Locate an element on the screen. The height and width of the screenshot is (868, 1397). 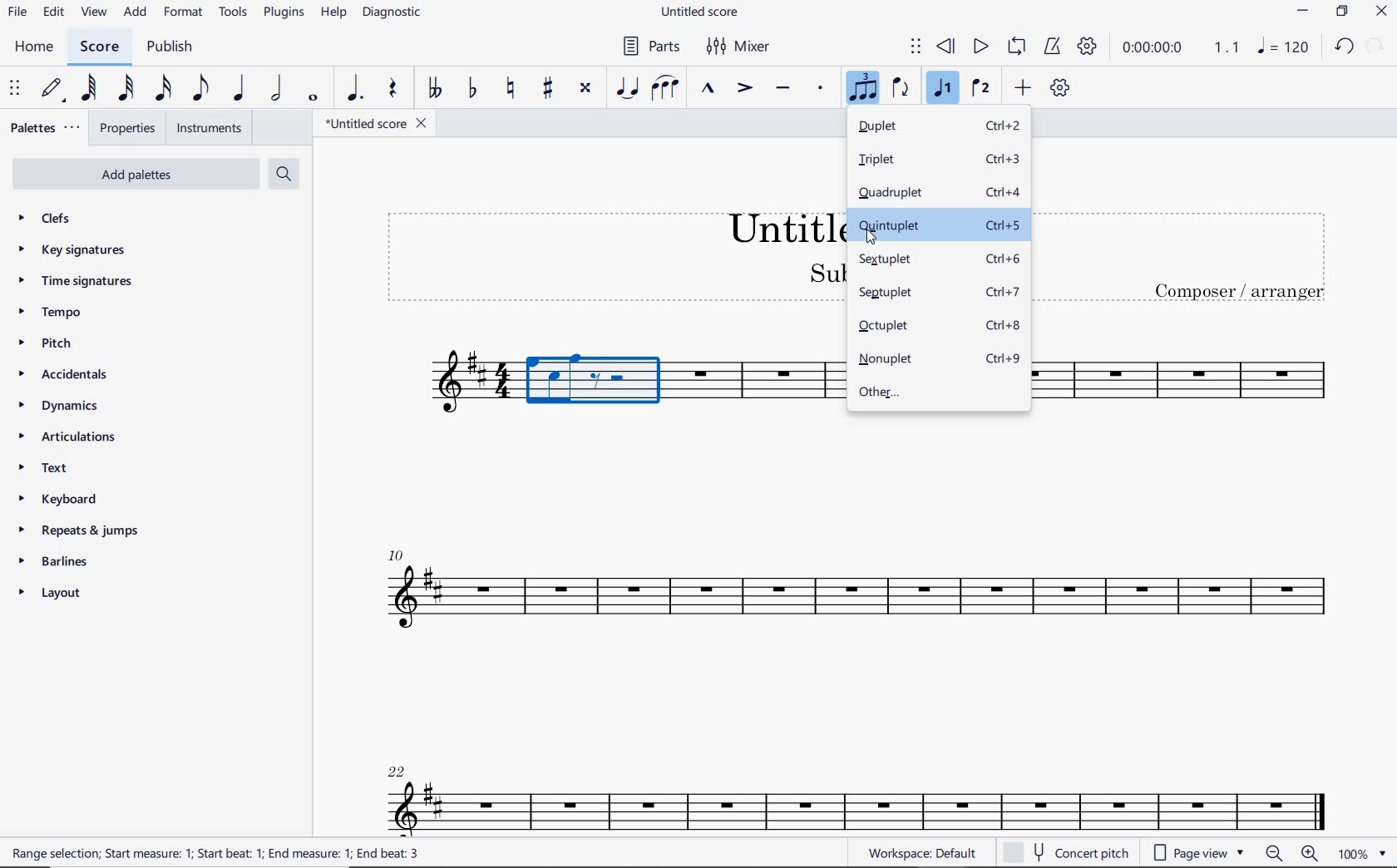
quadruplet is located at coordinates (940, 192).